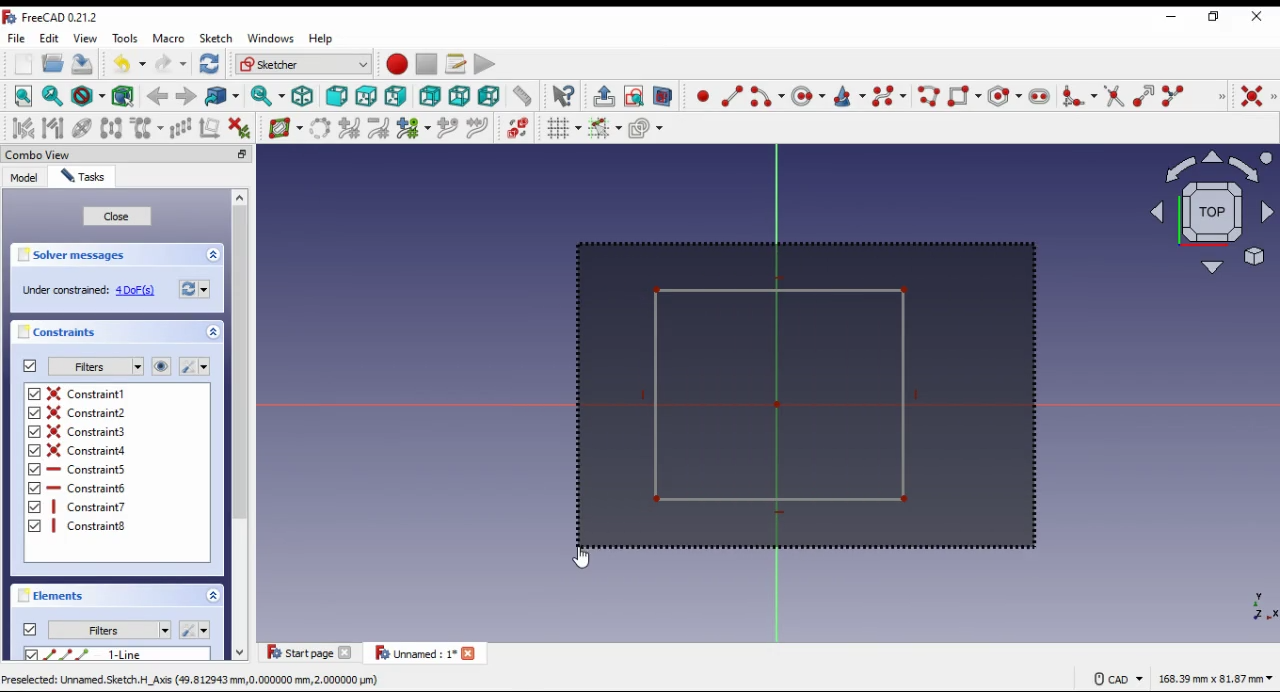 The width and height of the screenshot is (1280, 692). Describe the element at coordinates (91, 449) in the screenshot. I see `on/off constraint 4` at that location.